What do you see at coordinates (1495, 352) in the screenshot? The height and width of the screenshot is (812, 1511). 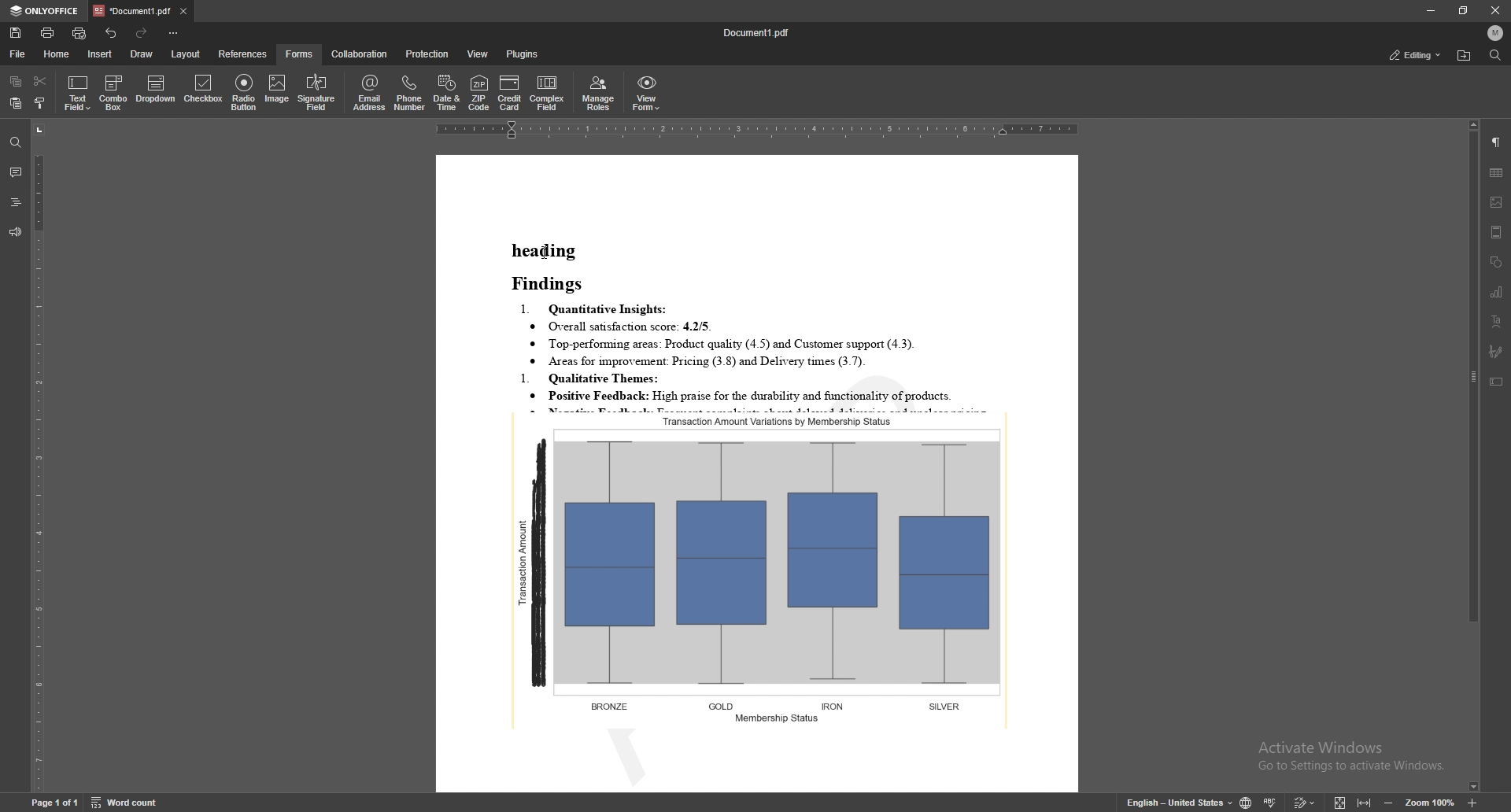 I see `signature field` at bounding box center [1495, 352].